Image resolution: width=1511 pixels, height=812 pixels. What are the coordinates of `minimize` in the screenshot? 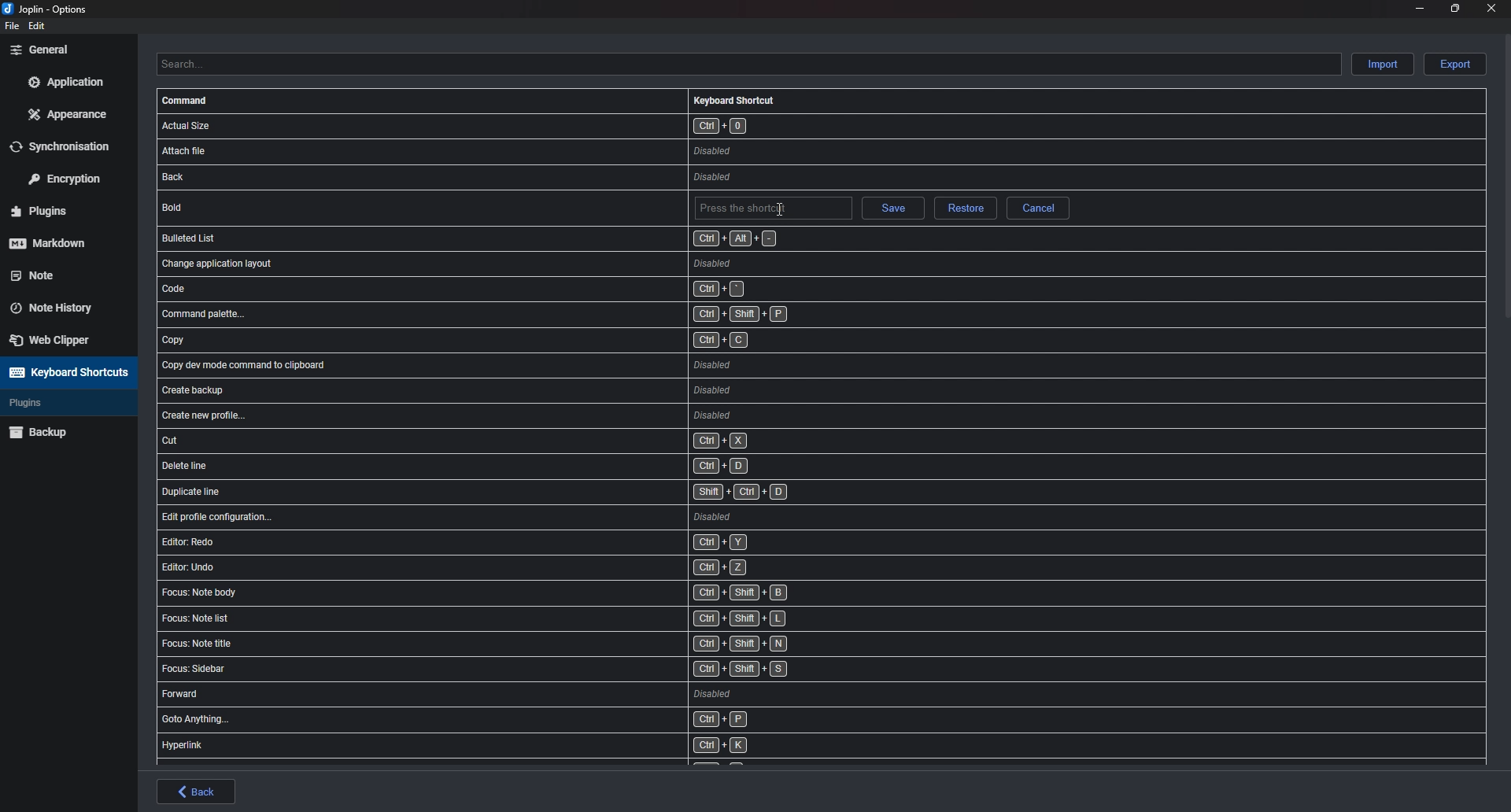 It's located at (1420, 7).